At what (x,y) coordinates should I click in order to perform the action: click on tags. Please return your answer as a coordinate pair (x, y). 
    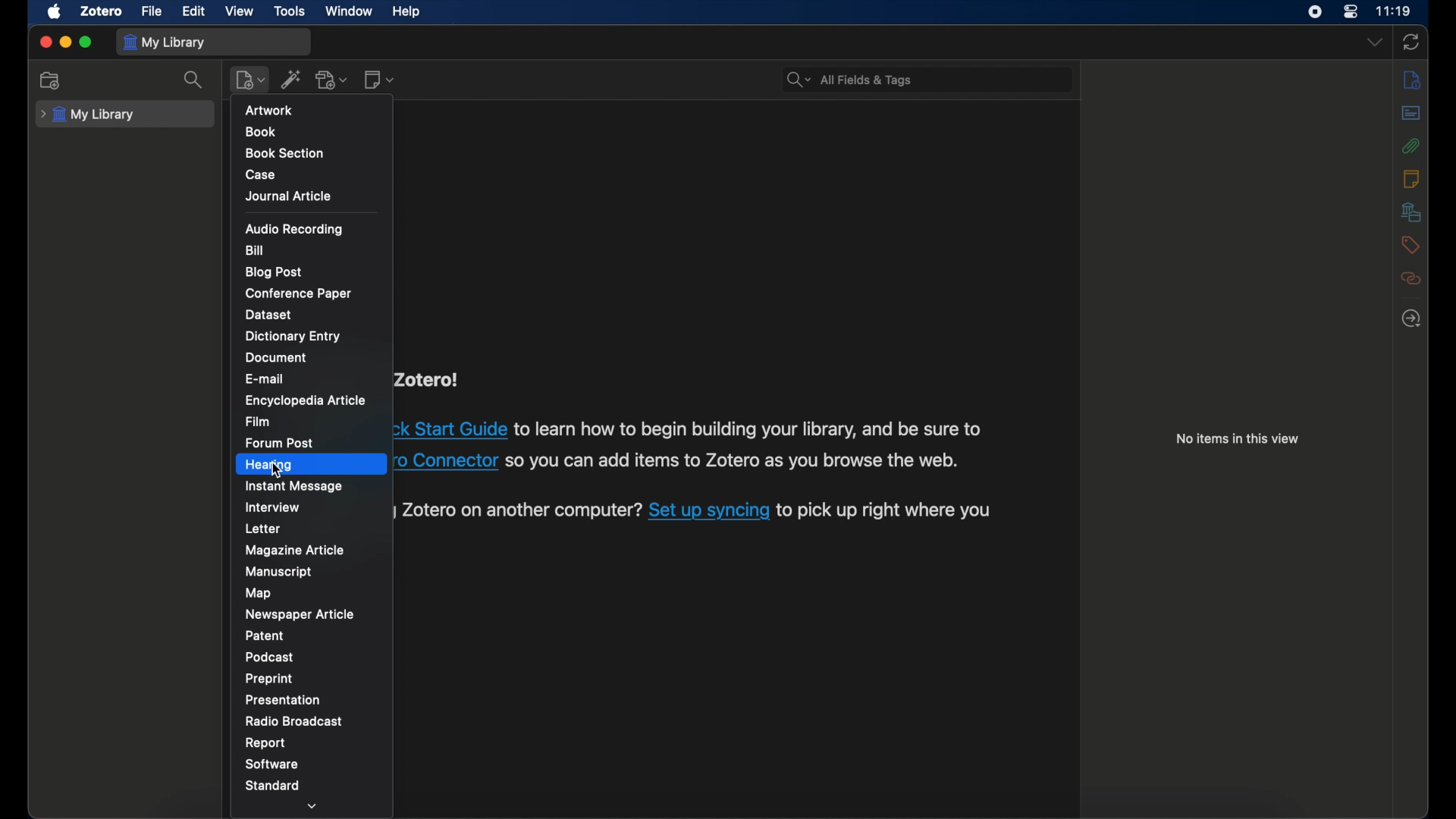
    Looking at the image, I should click on (1409, 245).